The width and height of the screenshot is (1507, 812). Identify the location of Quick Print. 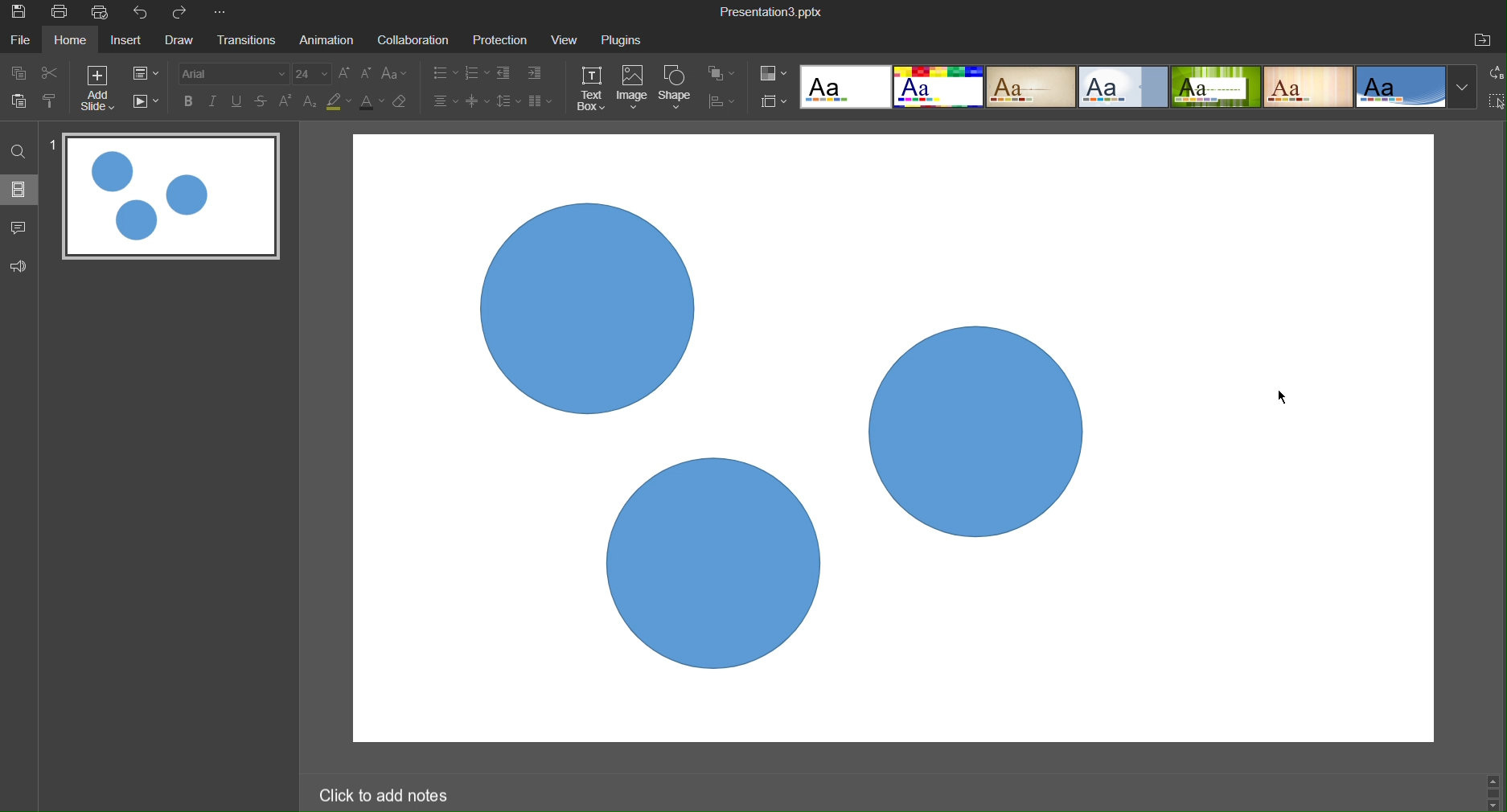
(103, 13).